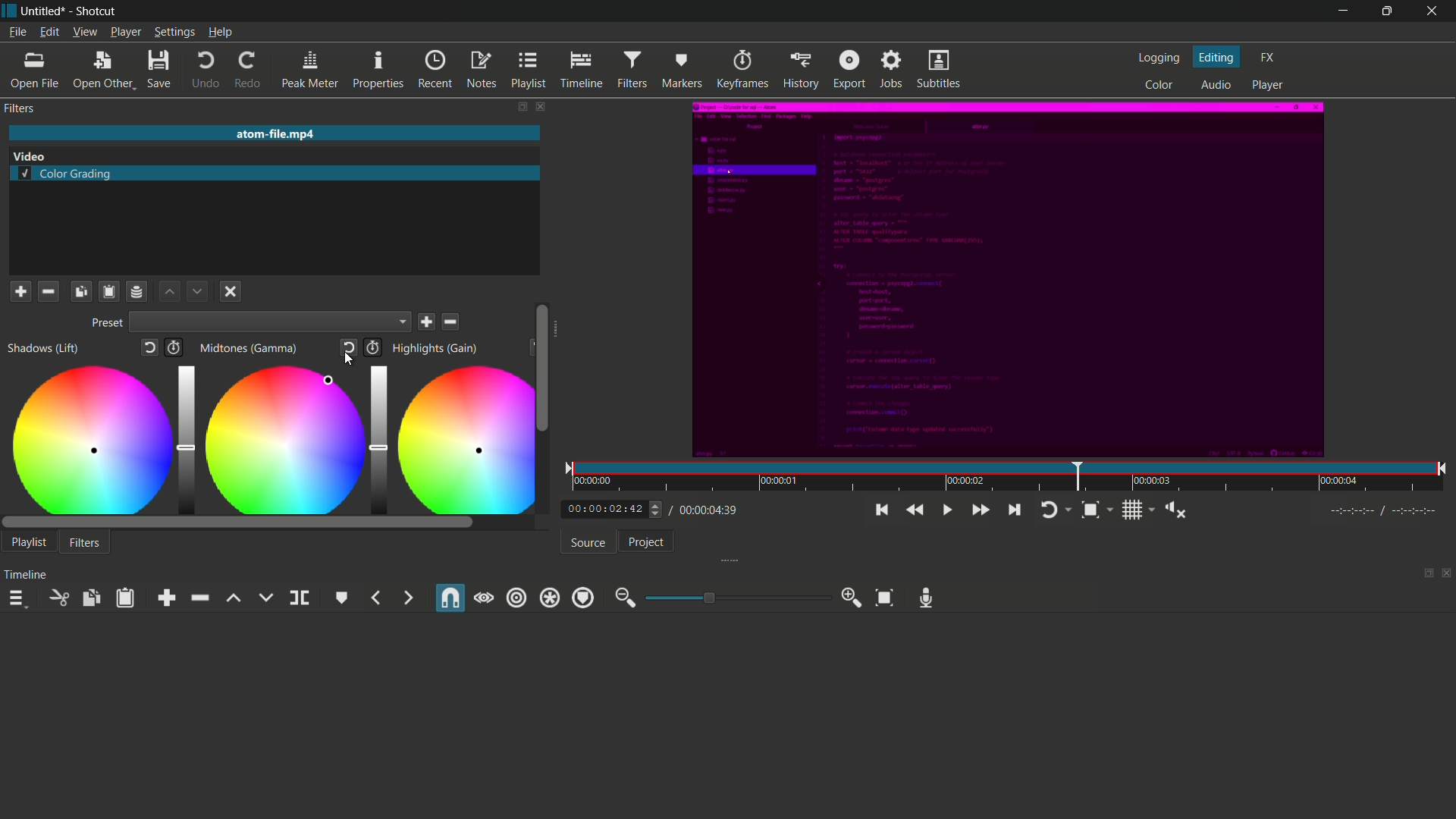 The height and width of the screenshot is (819, 1456). What do you see at coordinates (233, 598) in the screenshot?
I see `lift` at bounding box center [233, 598].